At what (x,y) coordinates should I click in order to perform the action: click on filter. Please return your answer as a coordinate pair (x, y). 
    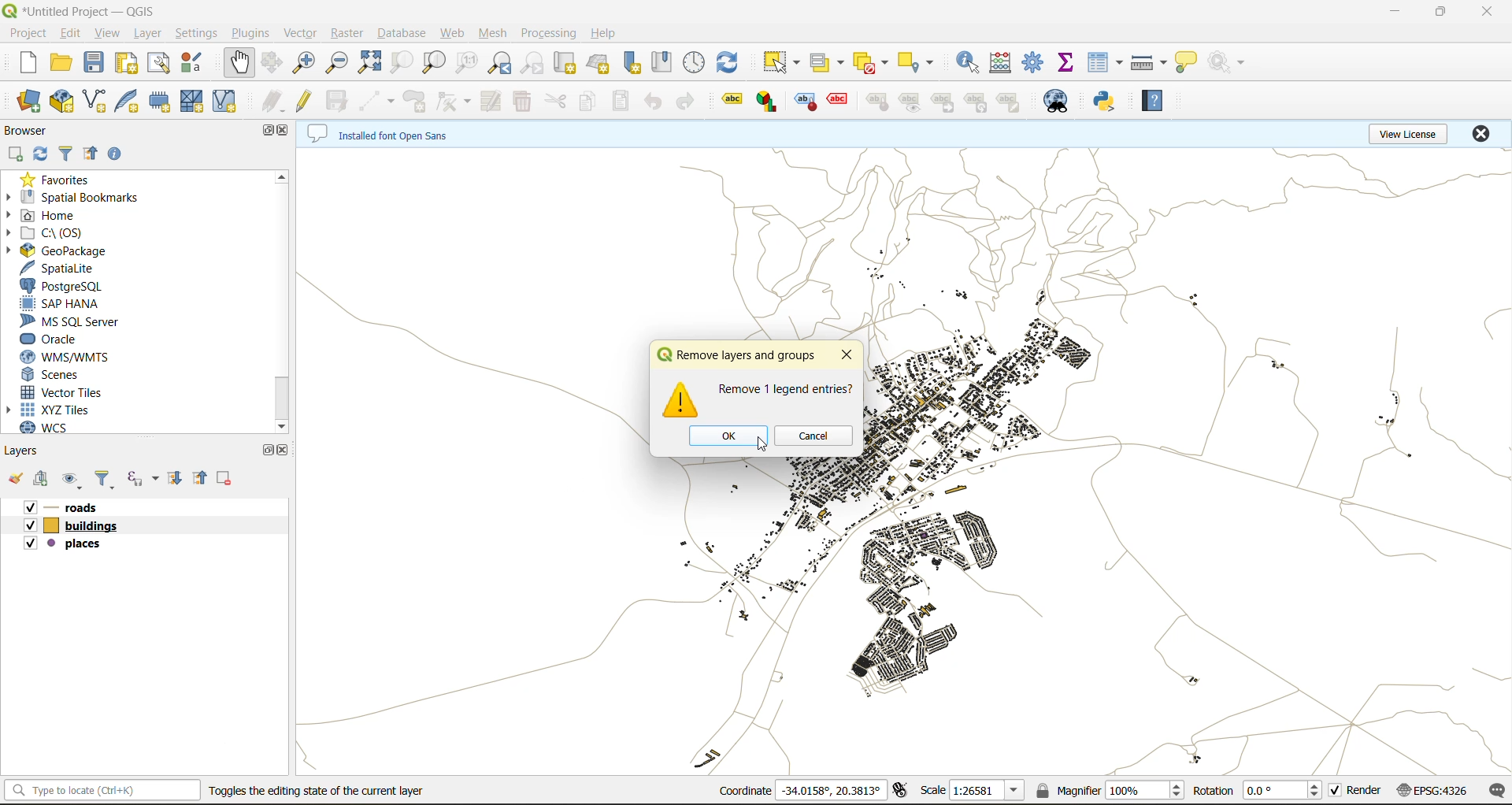
    Looking at the image, I should click on (65, 154).